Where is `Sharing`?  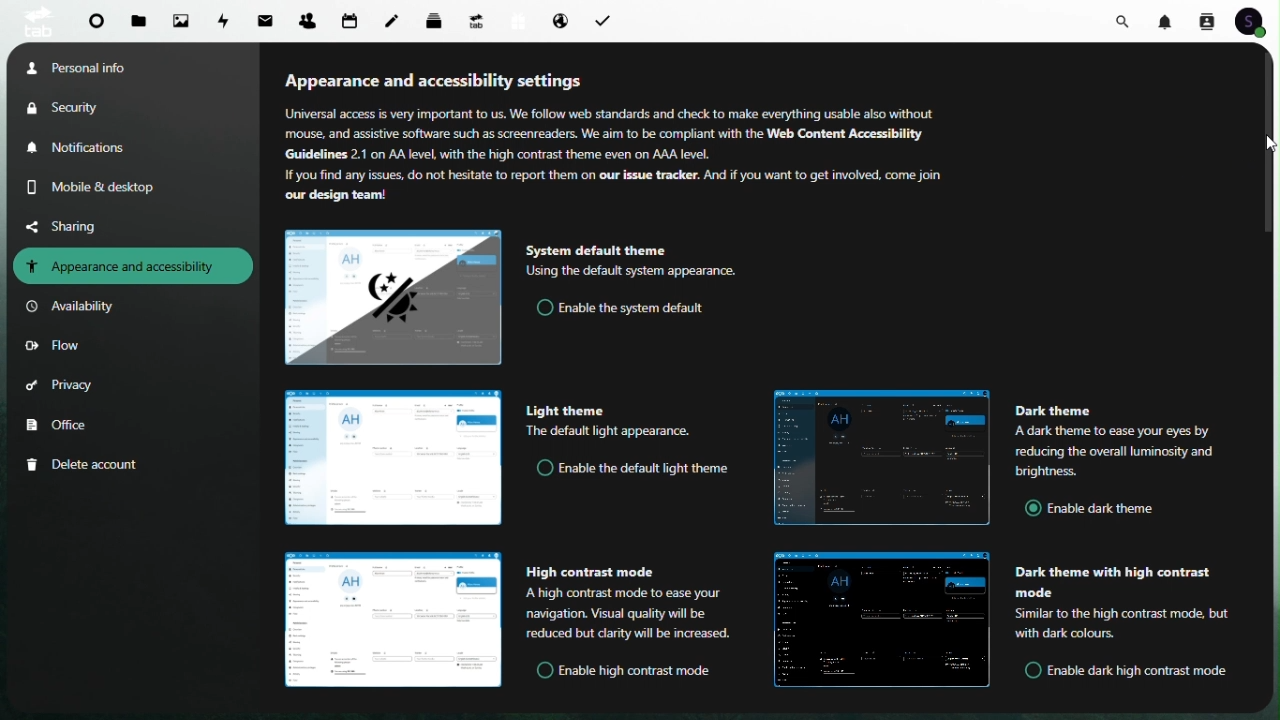
Sharing is located at coordinates (77, 225).